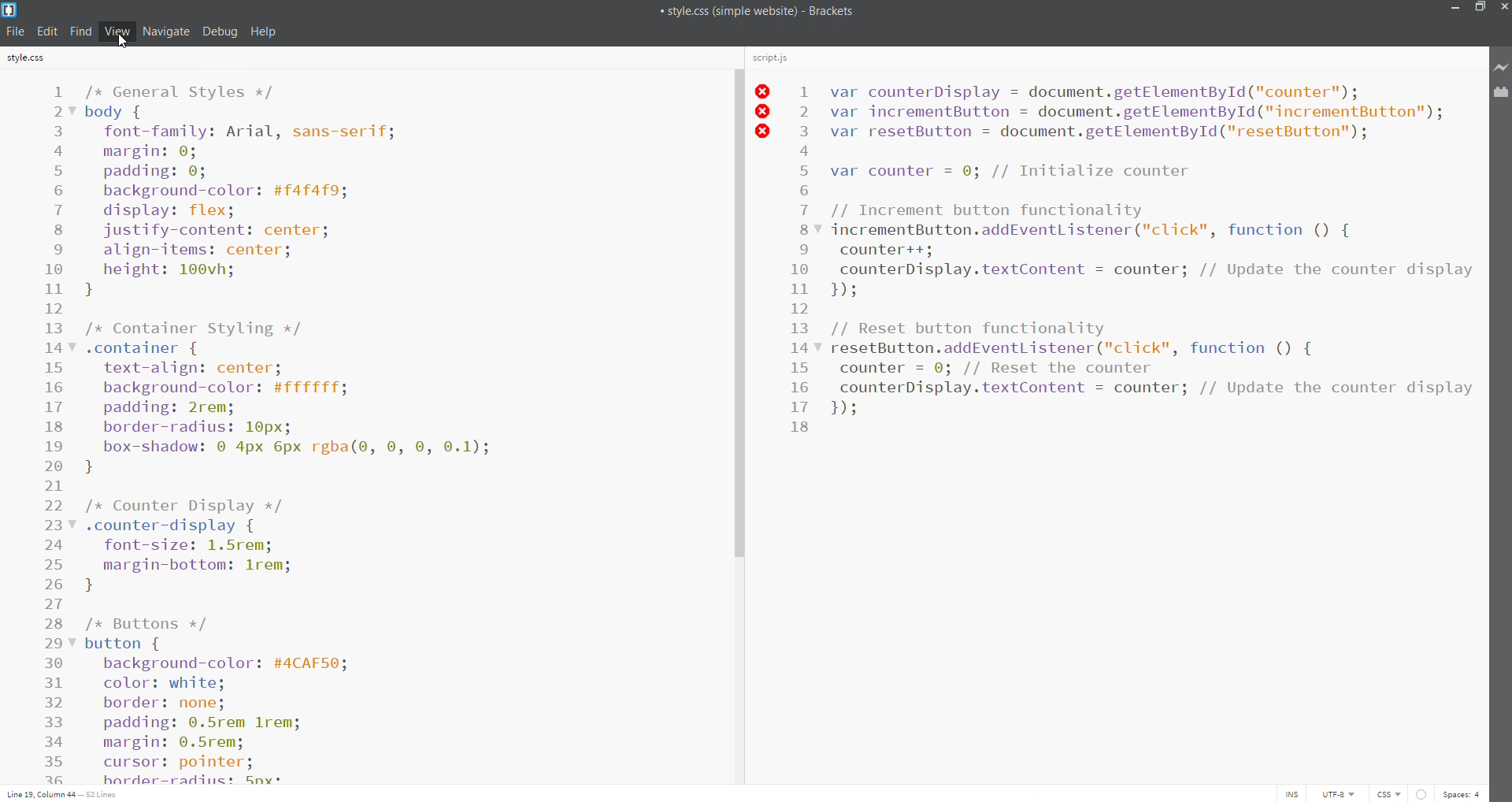  Describe the element at coordinates (716, 11) in the screenshot. I see `title bar` at that location.